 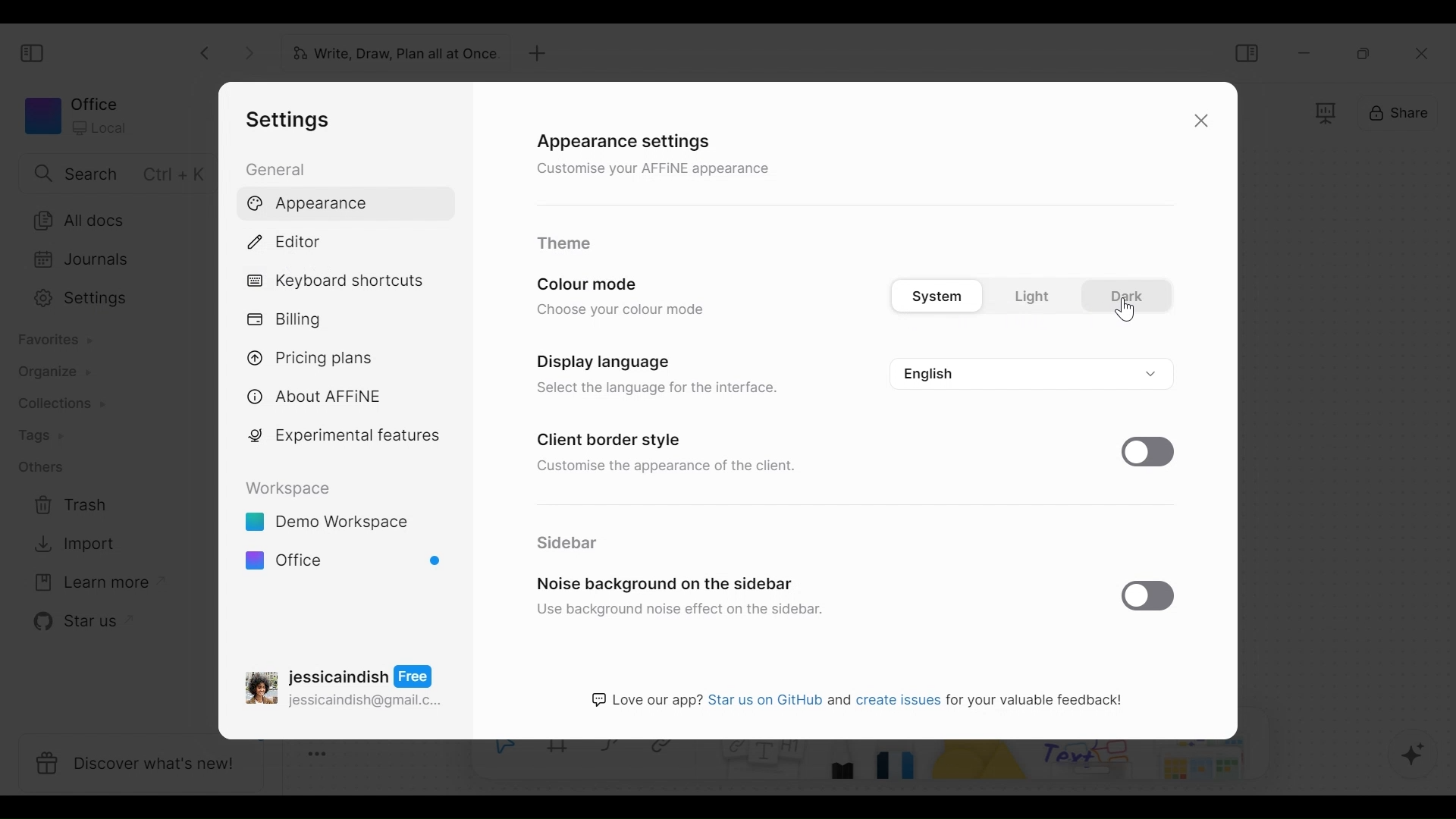 What do you see at coordinates (761, 761) in the screenshot?
I see `Note` at bounding box center [761, 761].